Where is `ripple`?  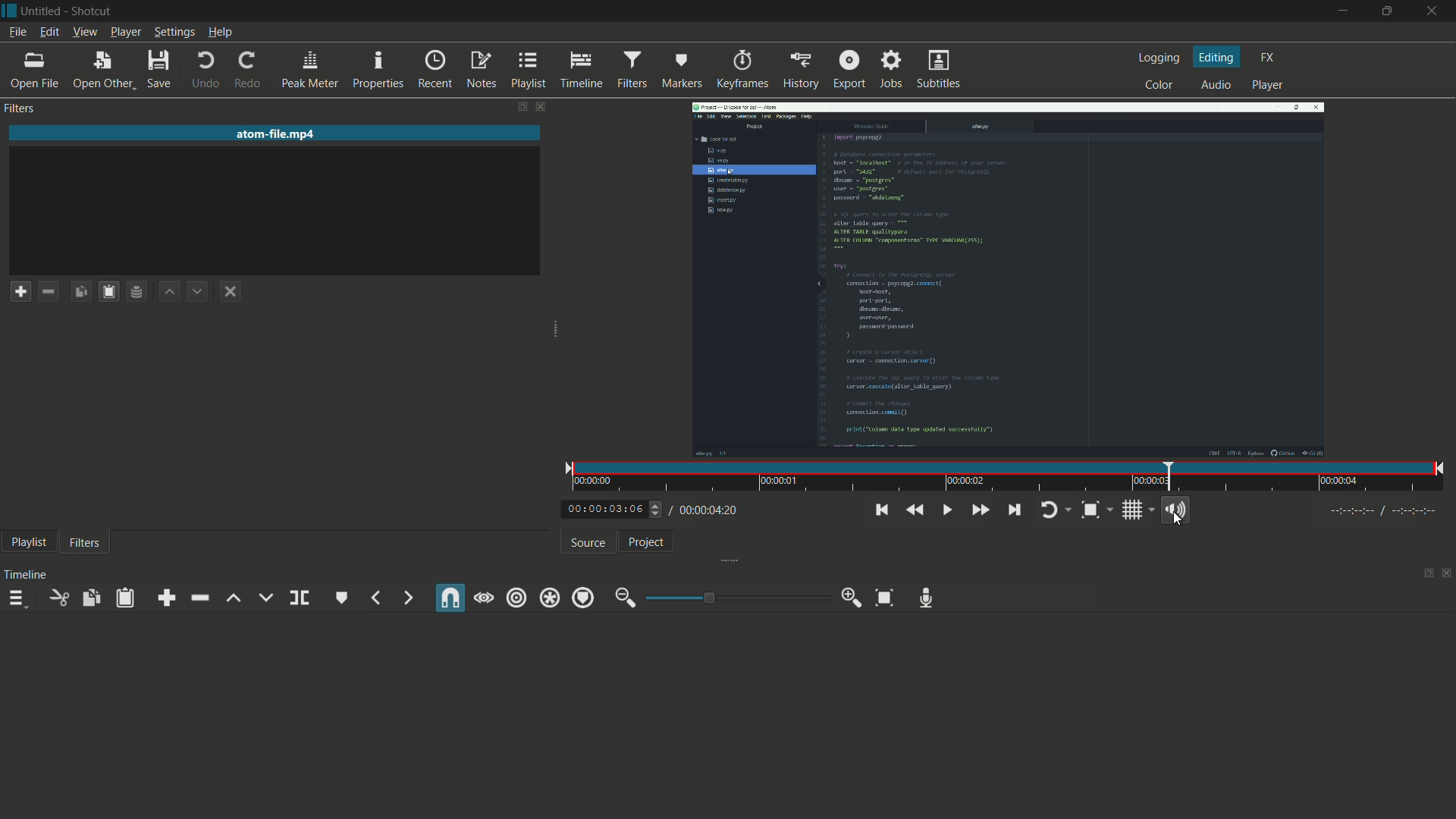
ripple is located at coordinates (517, 599).